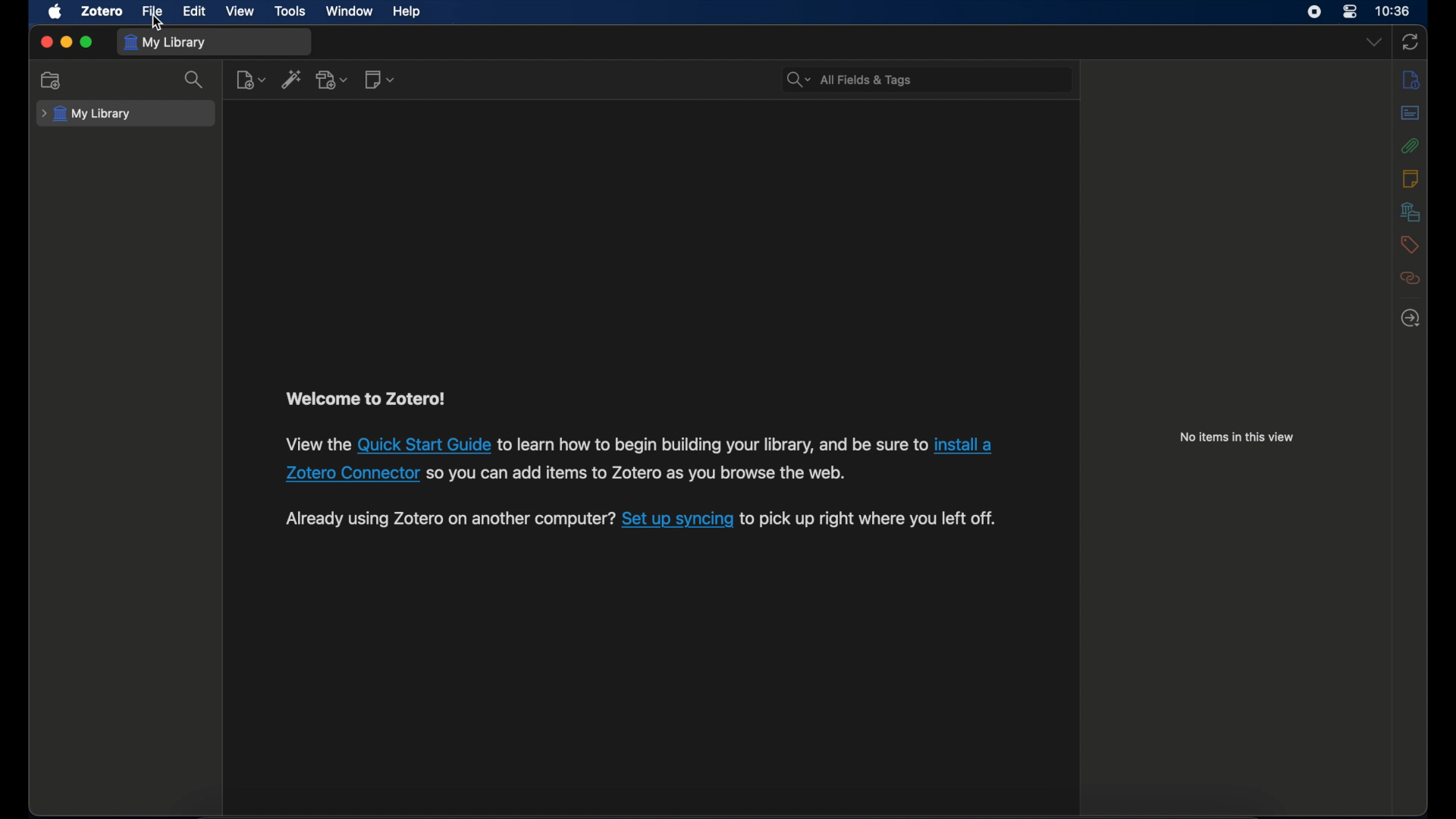 The image size is (1456, 819). Describe the element at coordinates (86, 42) in the screenshot. I see `maximize` at that location.